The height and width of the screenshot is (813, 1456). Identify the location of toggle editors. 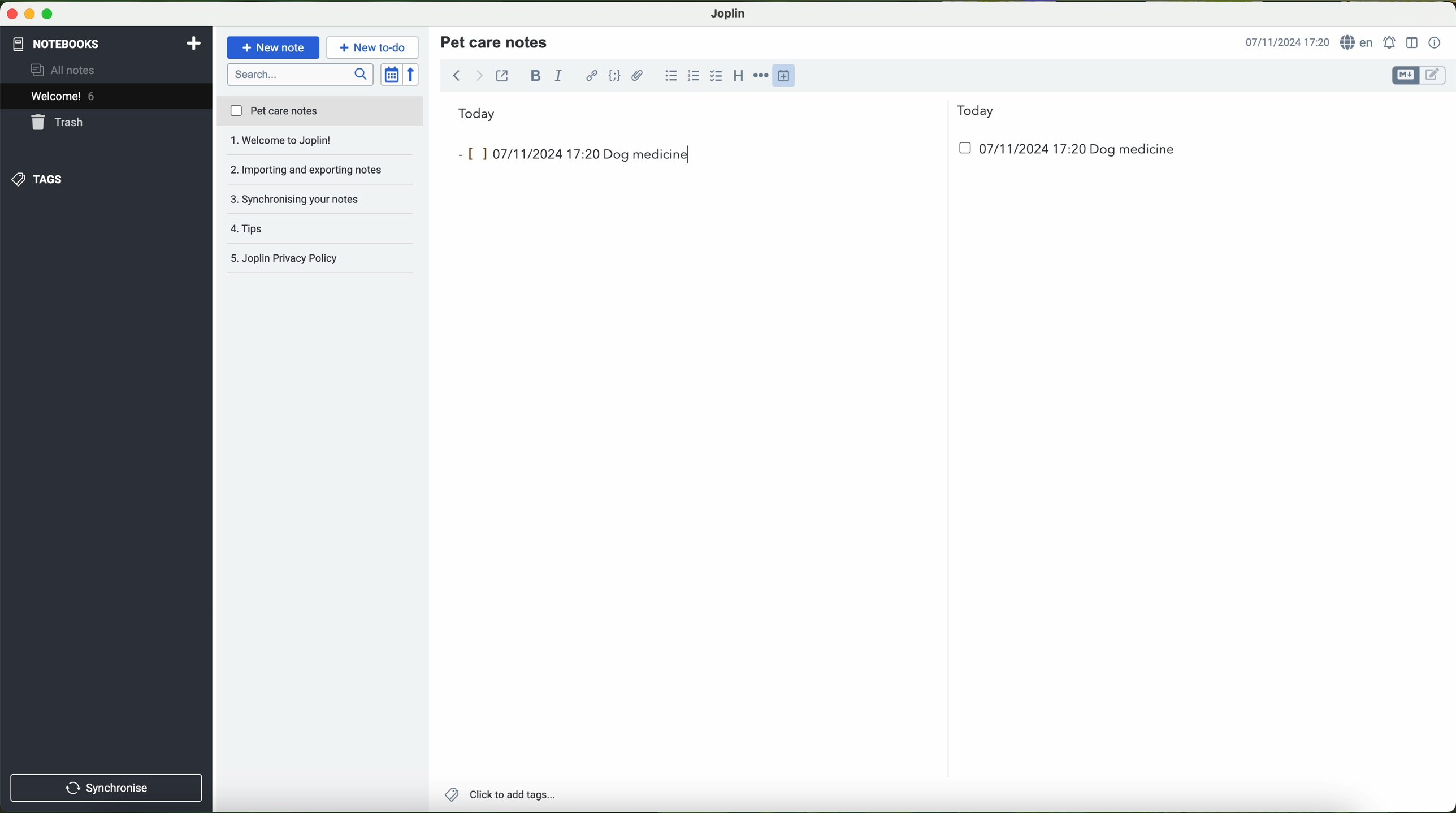
(1418, 76).